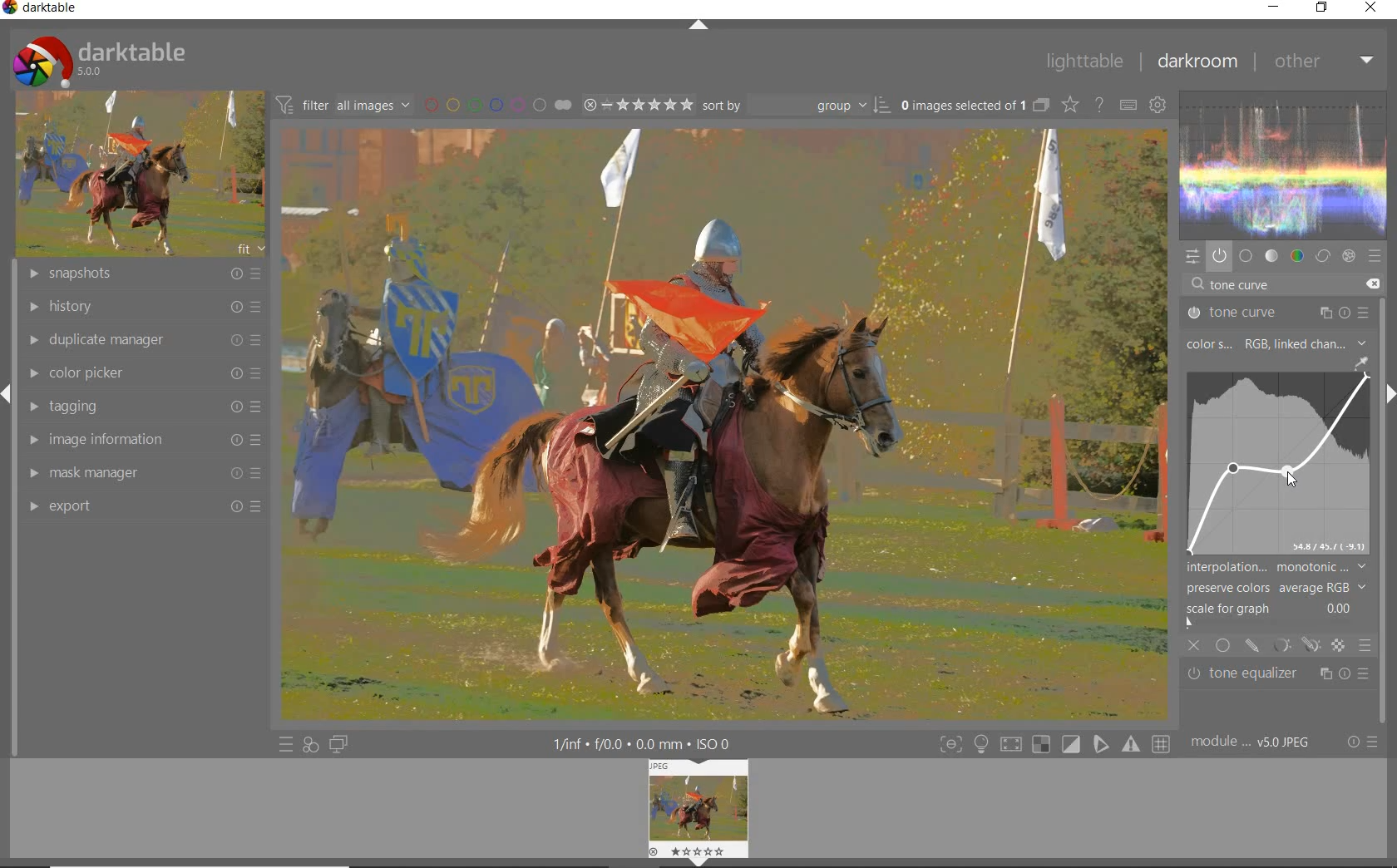  Describe the element at coordinates (343, 105) in the screenshot. I see `filter all images` at that location.